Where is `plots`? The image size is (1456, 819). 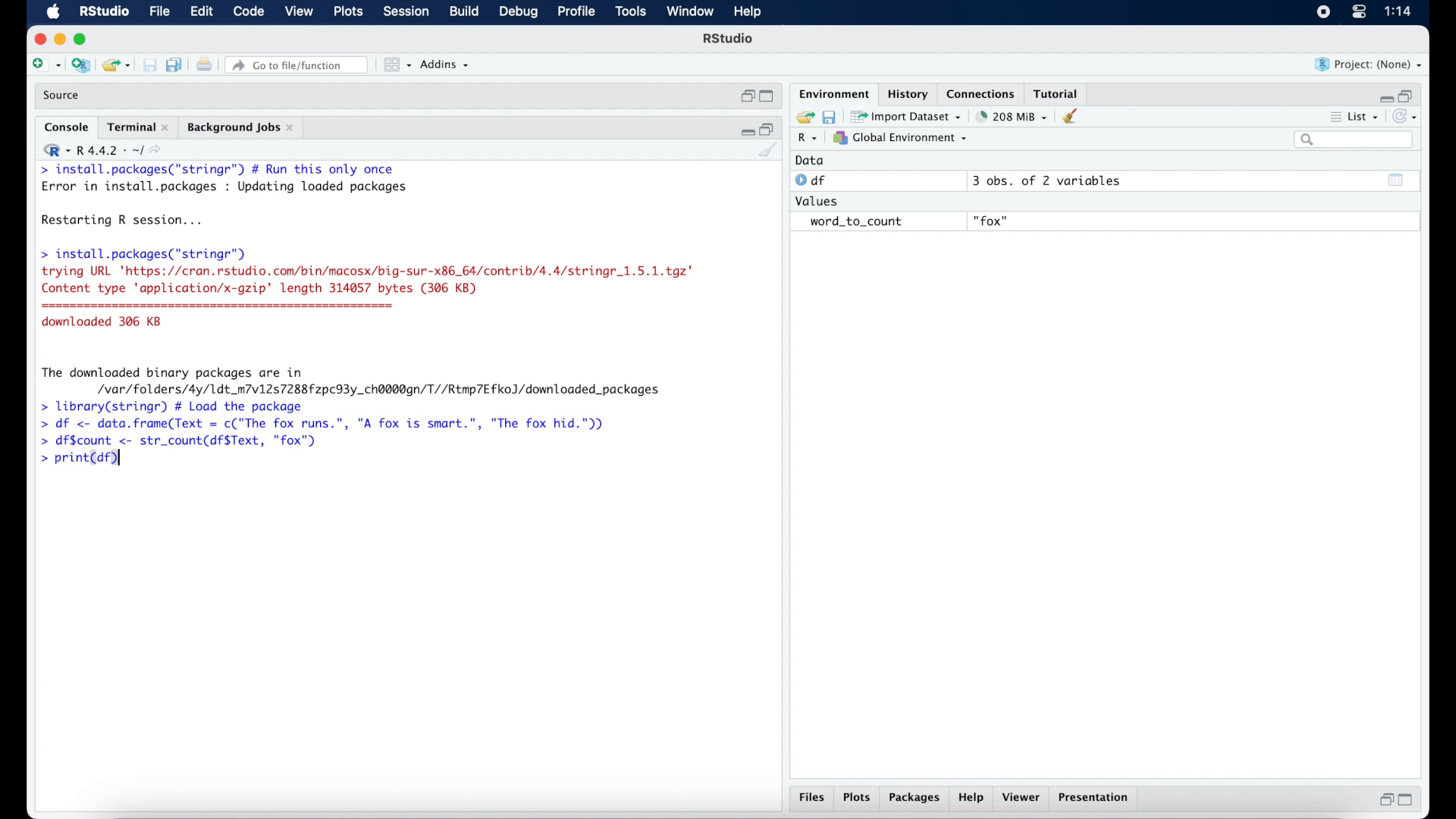
plots is located at coordinates (857, 799).